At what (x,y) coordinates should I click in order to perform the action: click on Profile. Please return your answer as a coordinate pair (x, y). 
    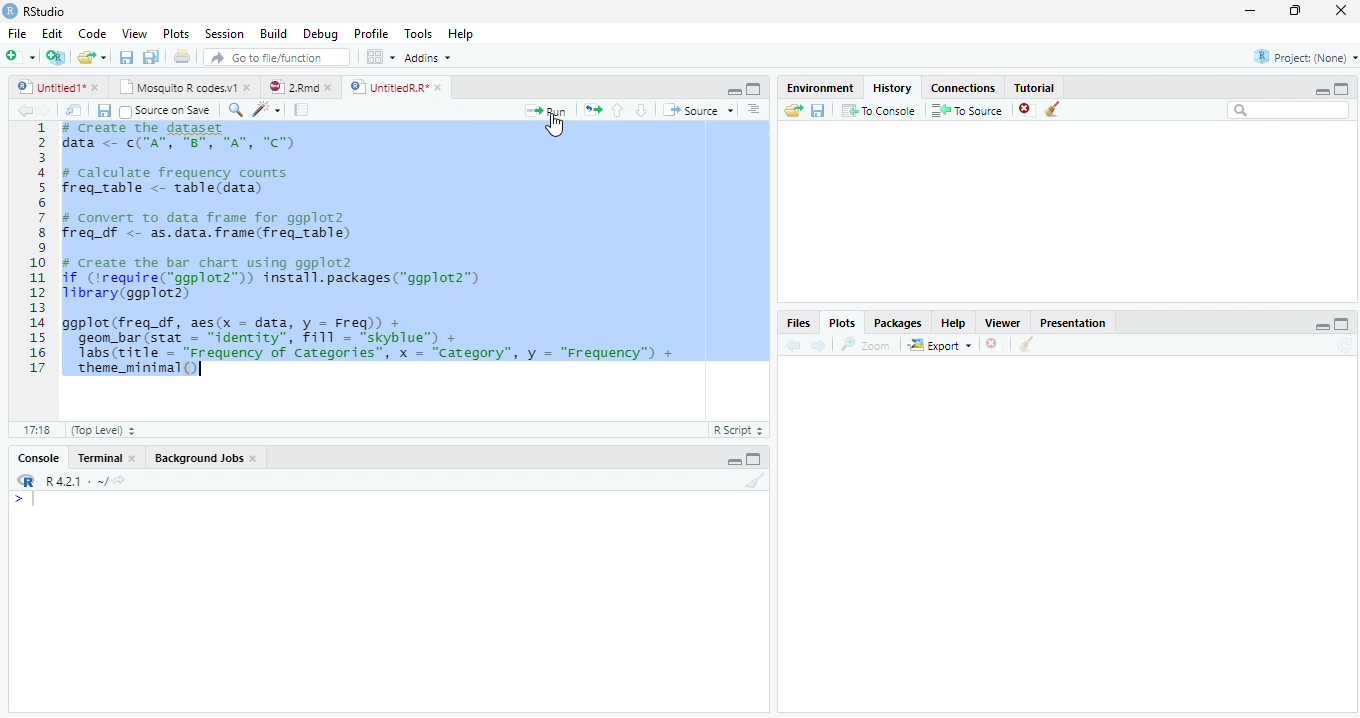
    Looking at the image, I should click on (371, 34).